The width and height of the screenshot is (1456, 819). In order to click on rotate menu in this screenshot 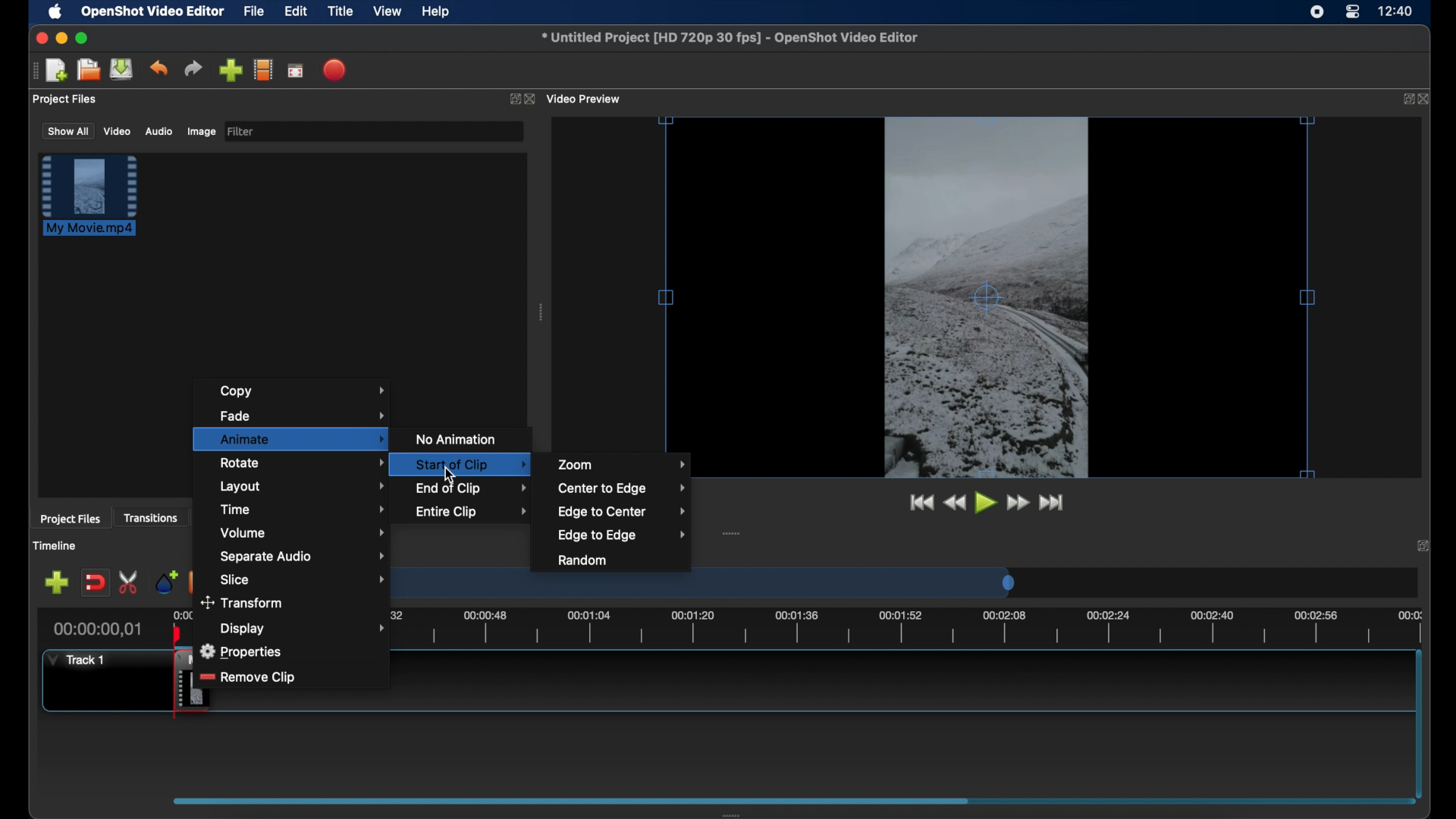, I will do `click(294, 463)`.